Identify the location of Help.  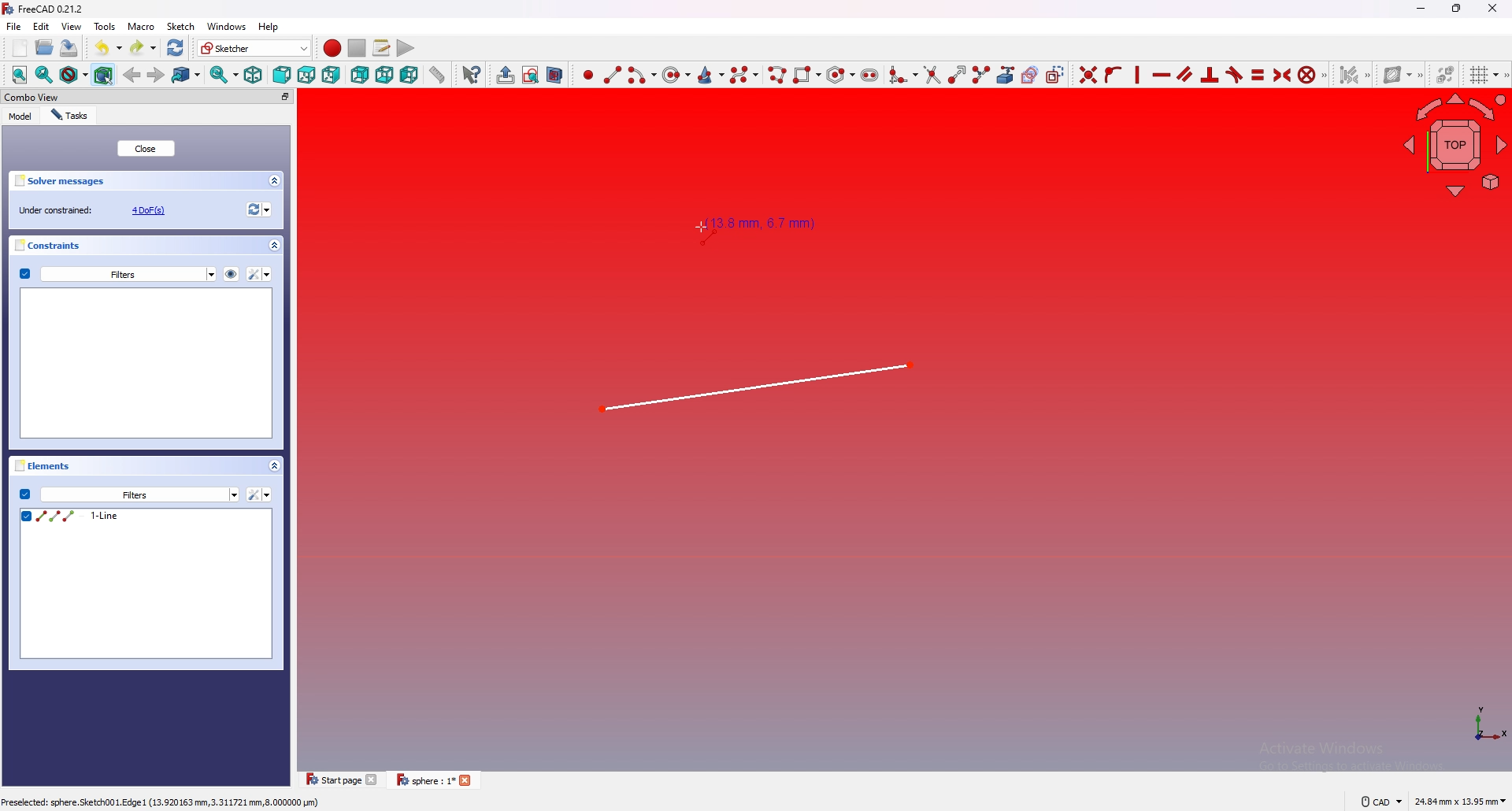
(269, 27).